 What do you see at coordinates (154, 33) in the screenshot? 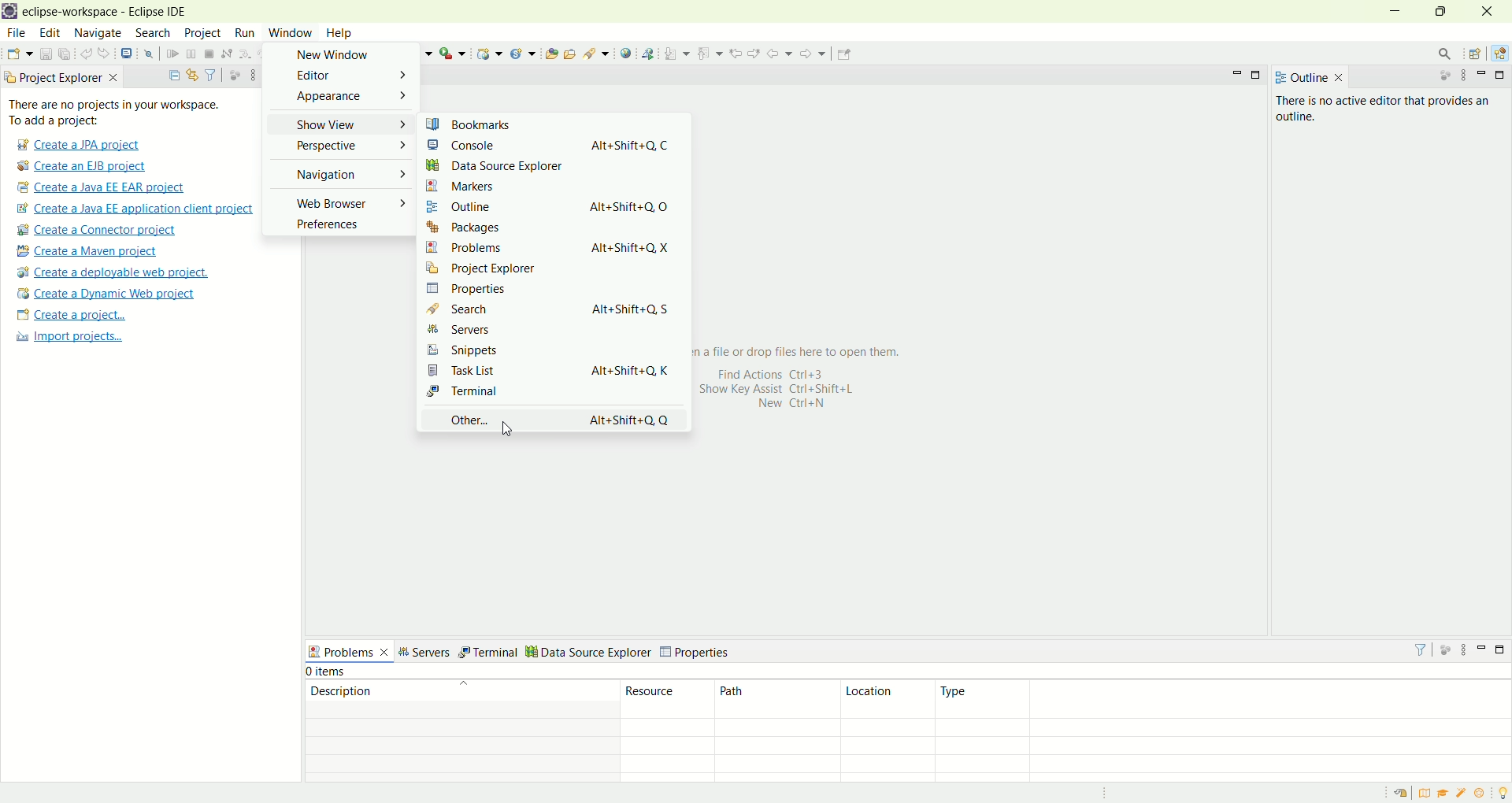
I see `search` at bounding box center [154, 33].